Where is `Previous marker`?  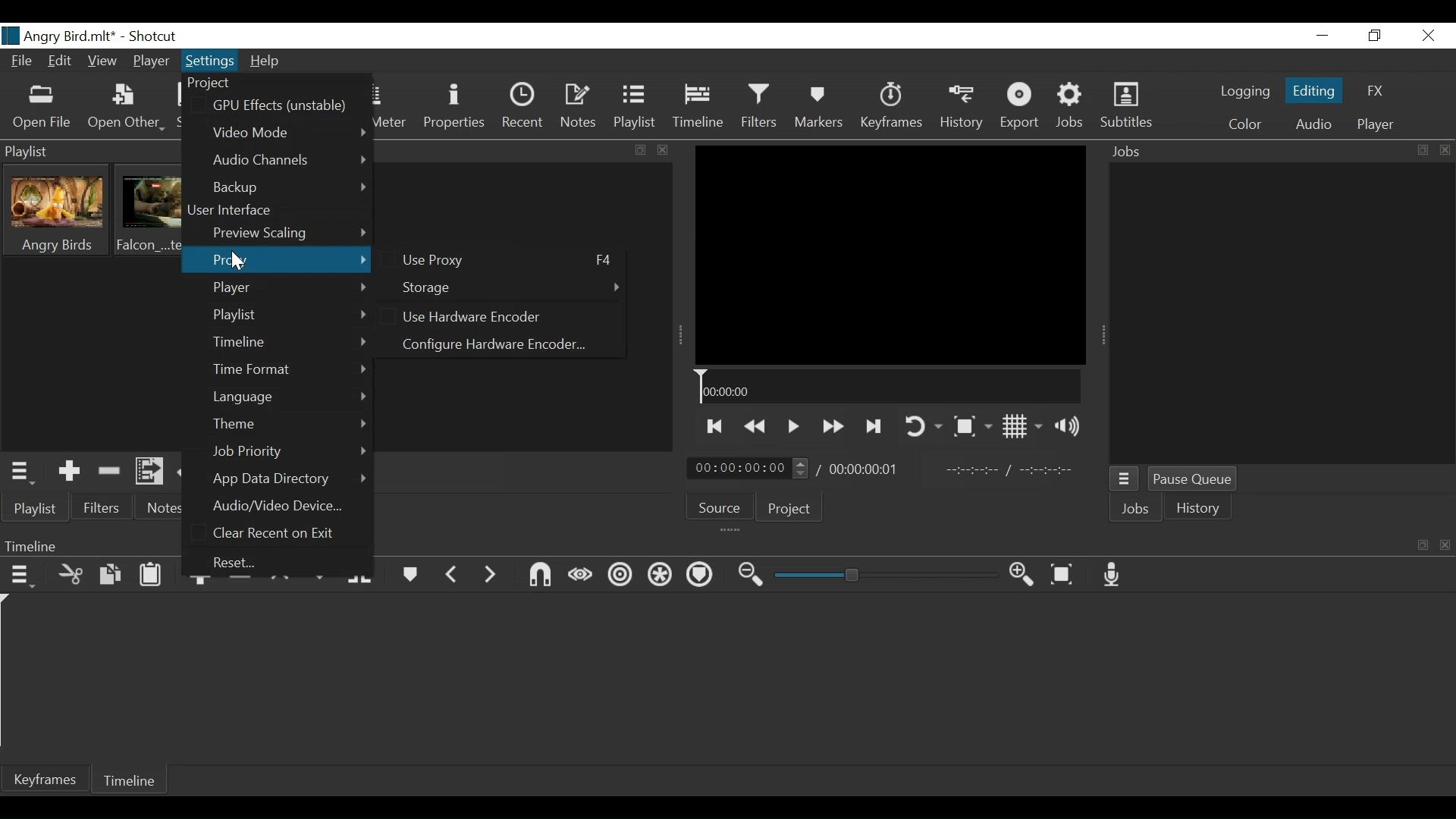
Previous marker is located at coordinates (456, 575).